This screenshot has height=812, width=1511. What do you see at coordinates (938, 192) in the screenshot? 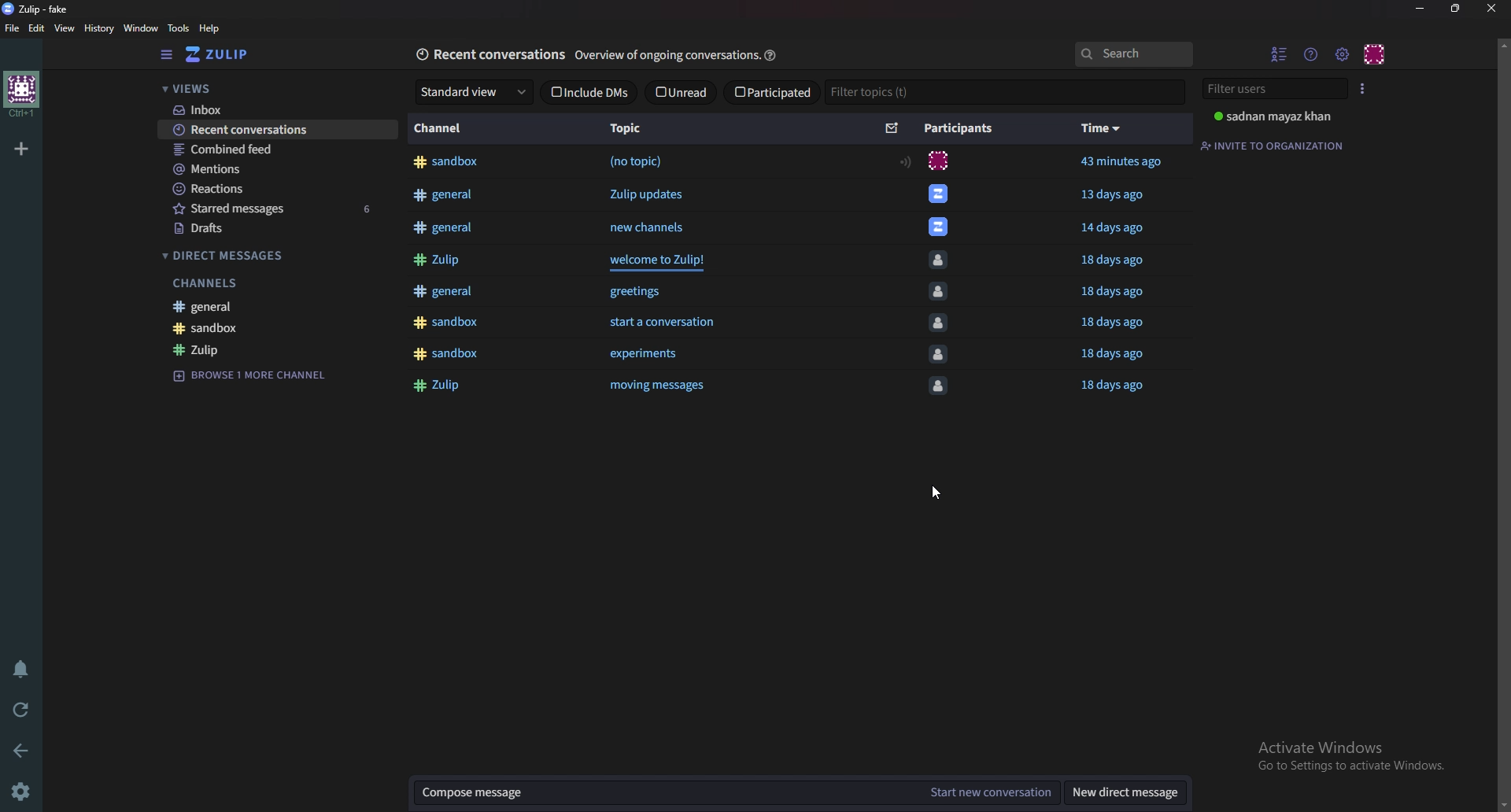
I see `icon` at bounding box center [938, 192].